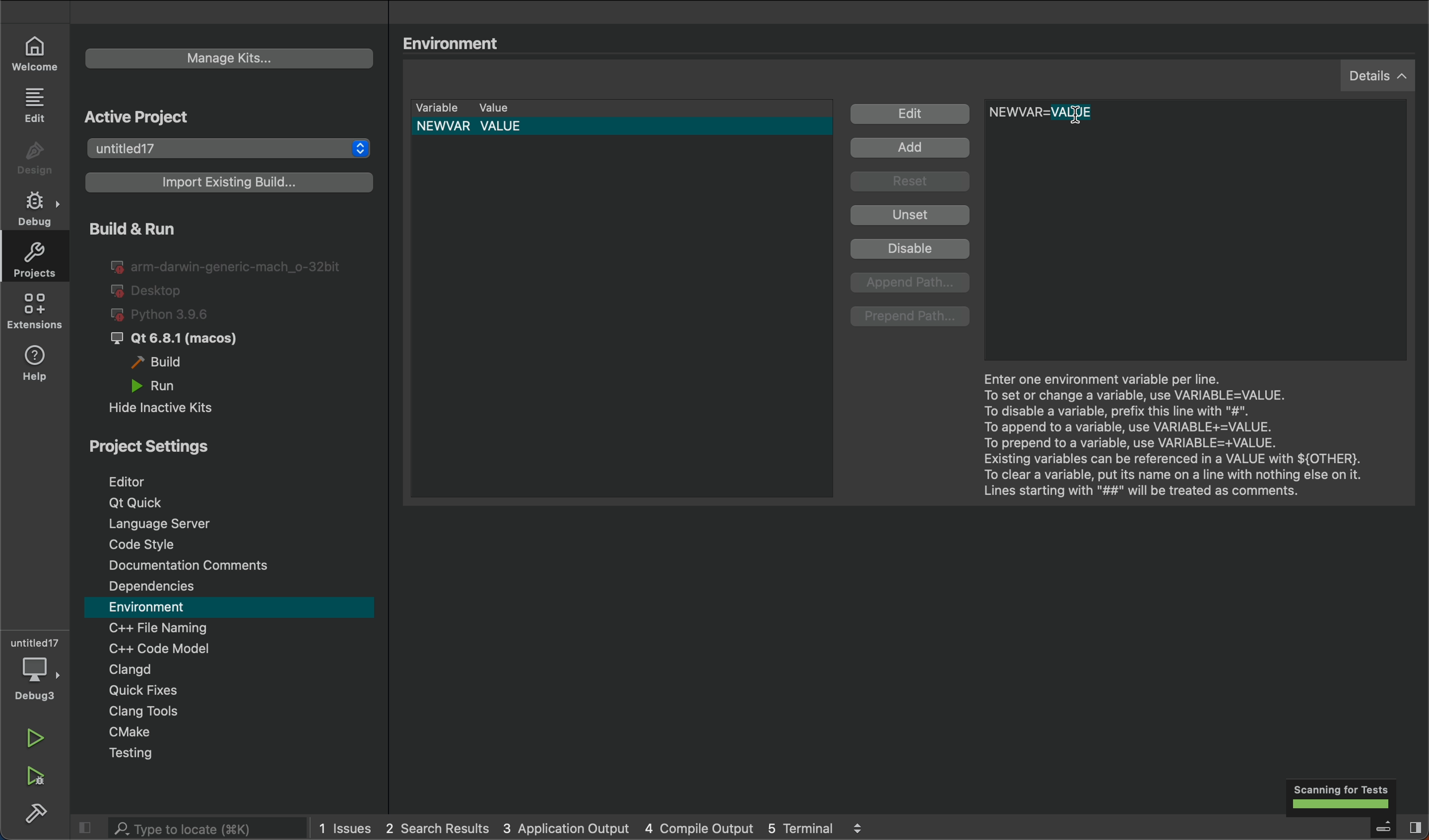 The width and height of the screenshot is (1429, 840). I want to click on Reset, so click(914, 183).